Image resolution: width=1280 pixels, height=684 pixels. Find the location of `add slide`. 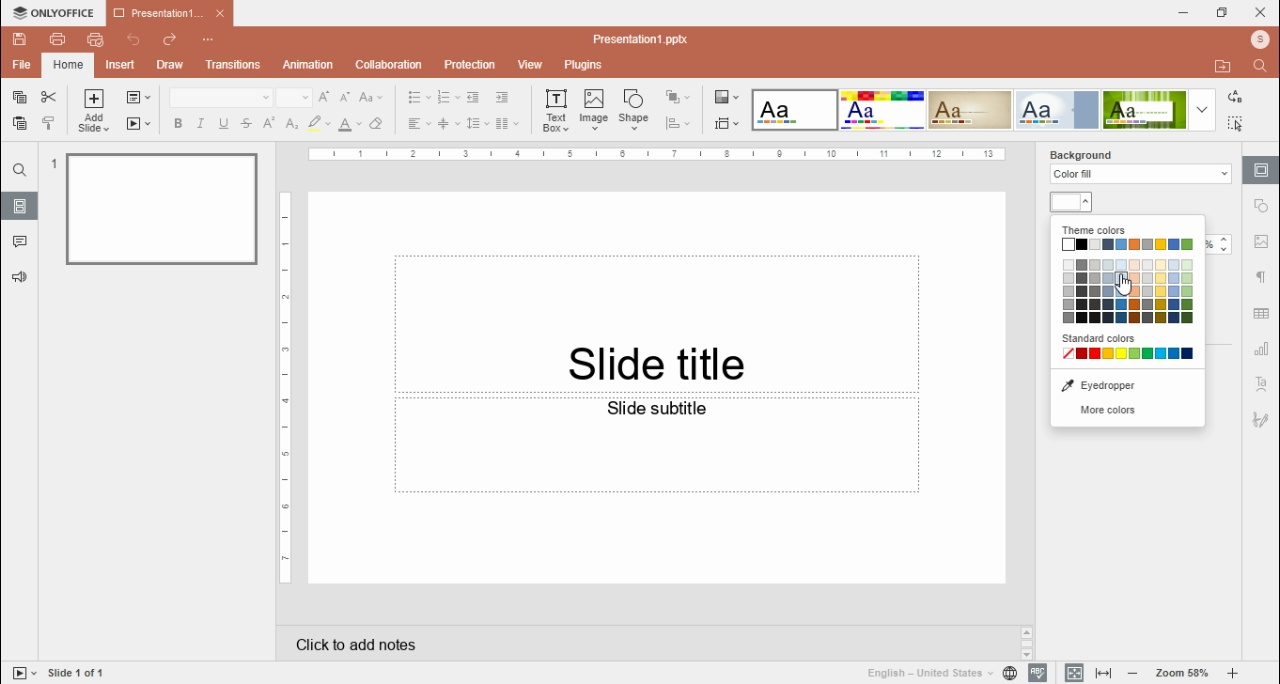

add slide is located at coordinates (93, 111).